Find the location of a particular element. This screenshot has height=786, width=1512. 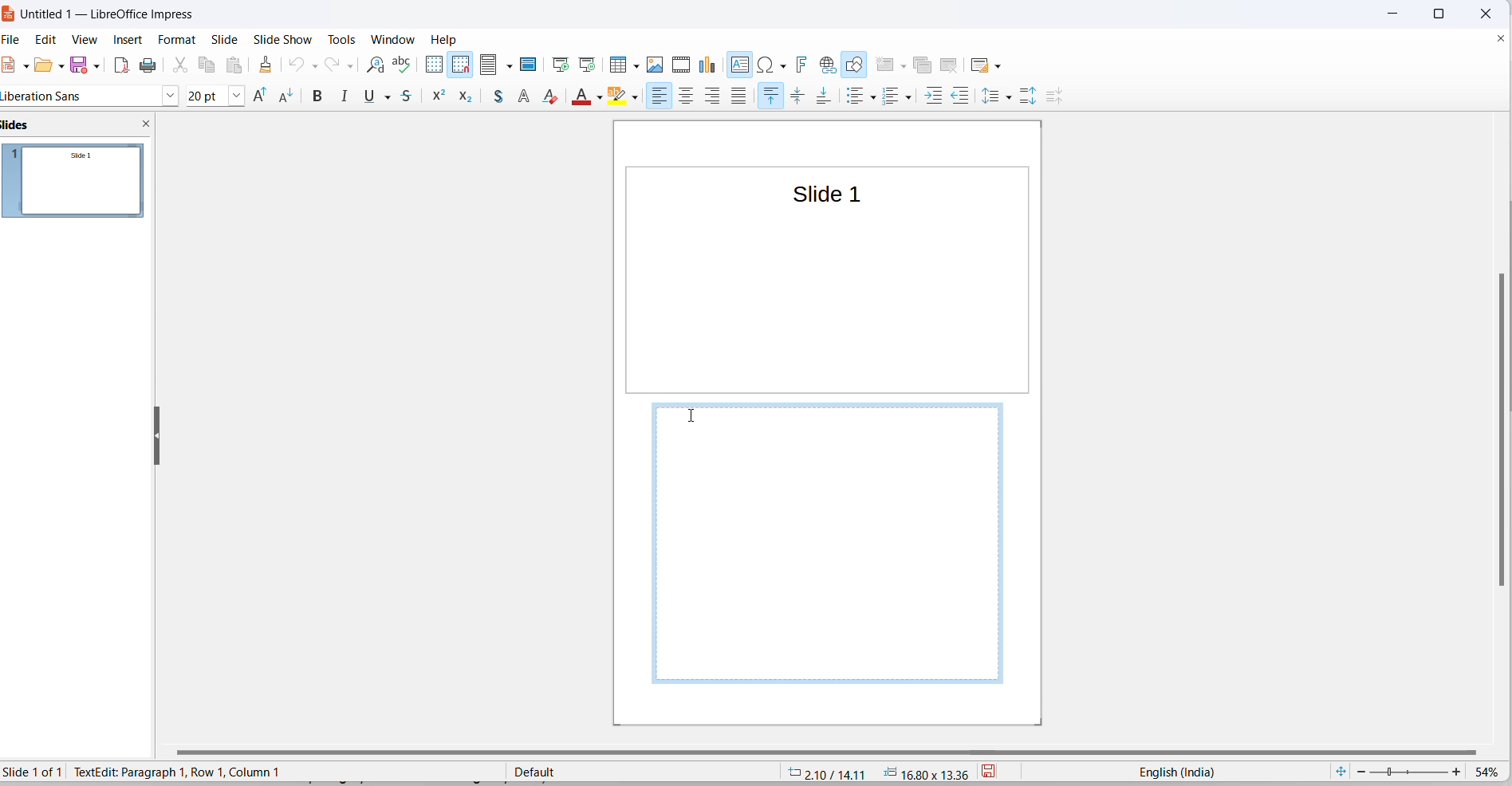

new slide options is located at coordinates (902, 65).